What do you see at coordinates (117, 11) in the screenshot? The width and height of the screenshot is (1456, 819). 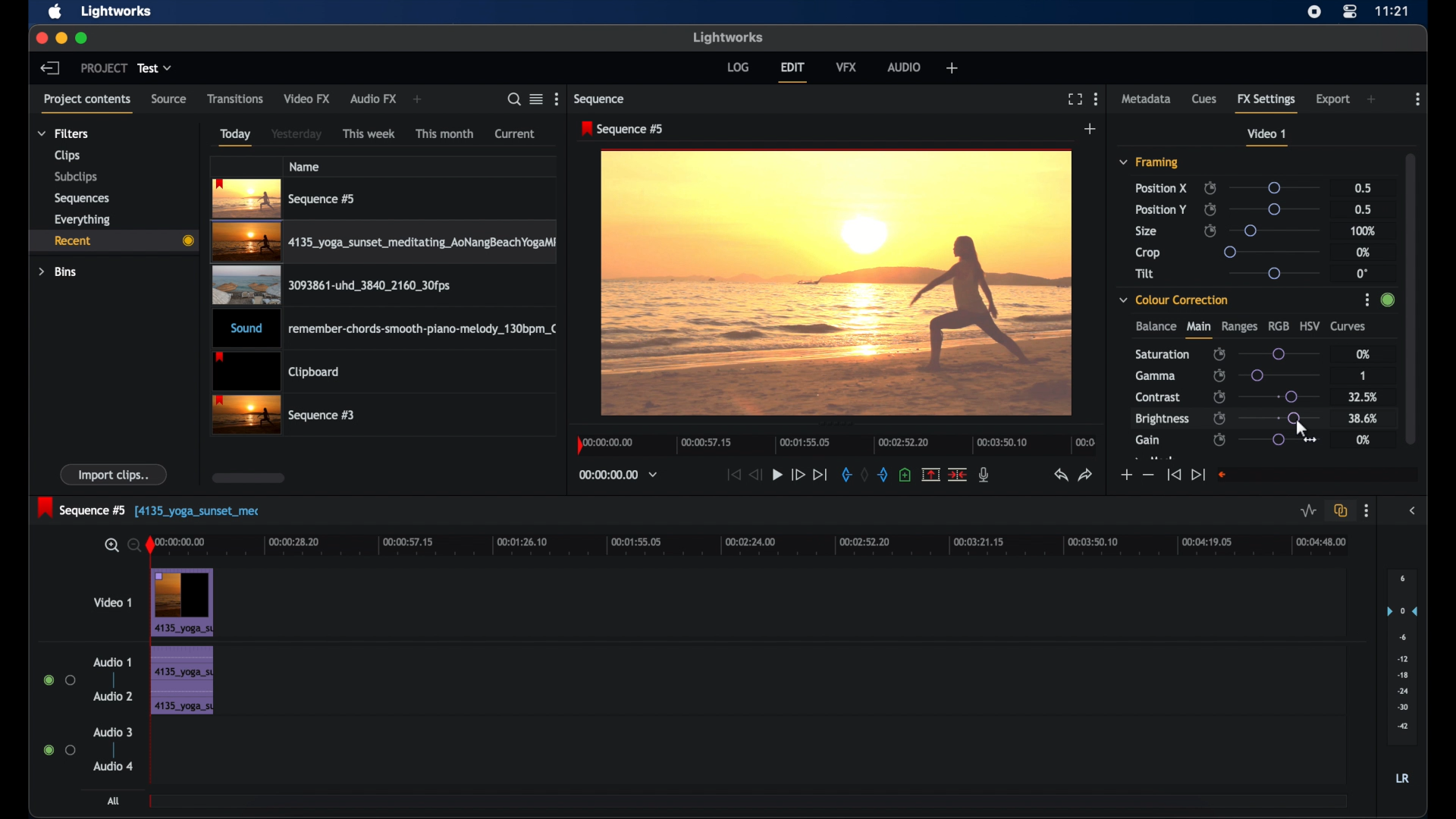 I see `lightworks` at bounding box center [117, 11].